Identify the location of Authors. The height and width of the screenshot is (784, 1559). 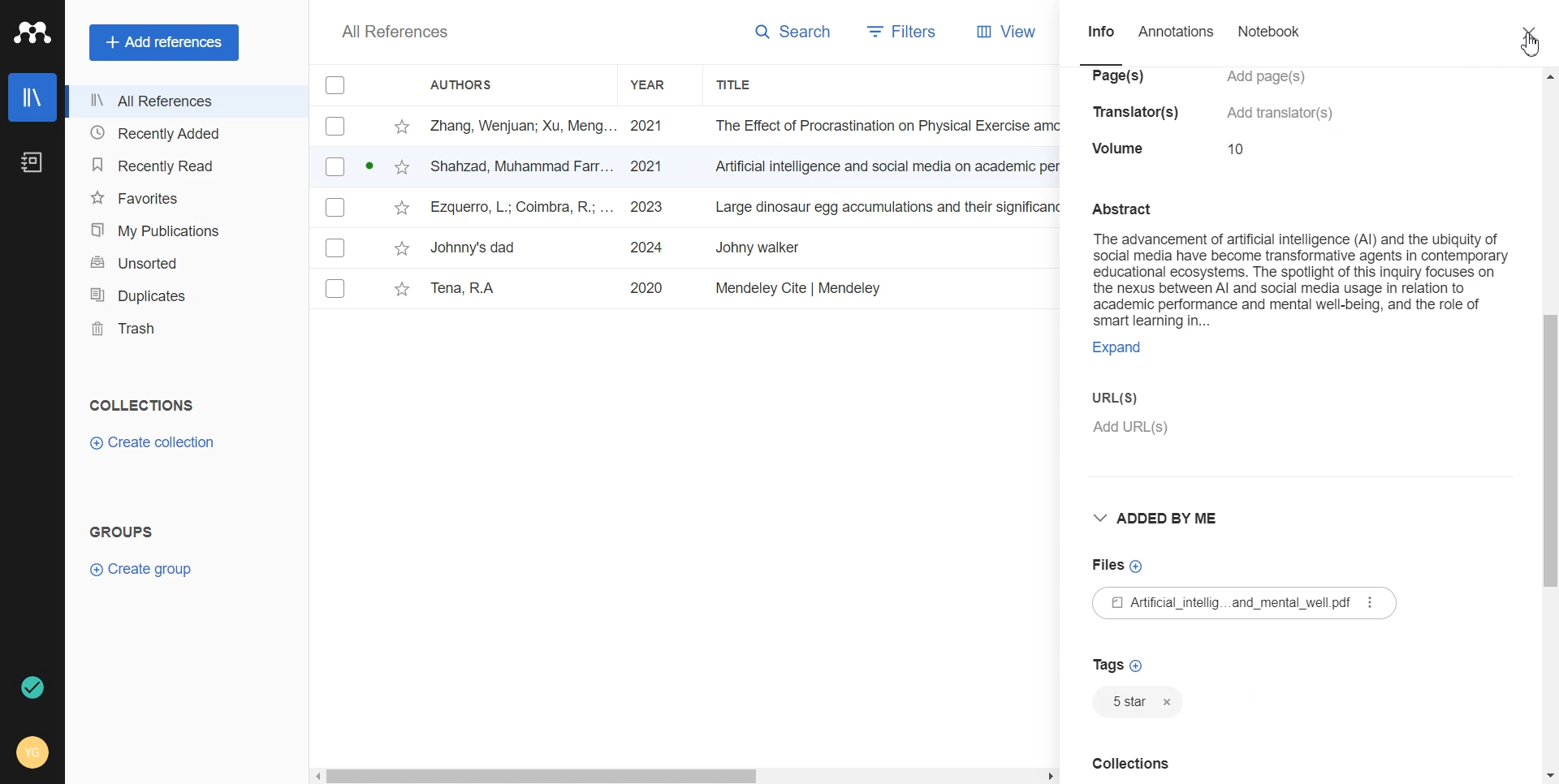
(470, 84).